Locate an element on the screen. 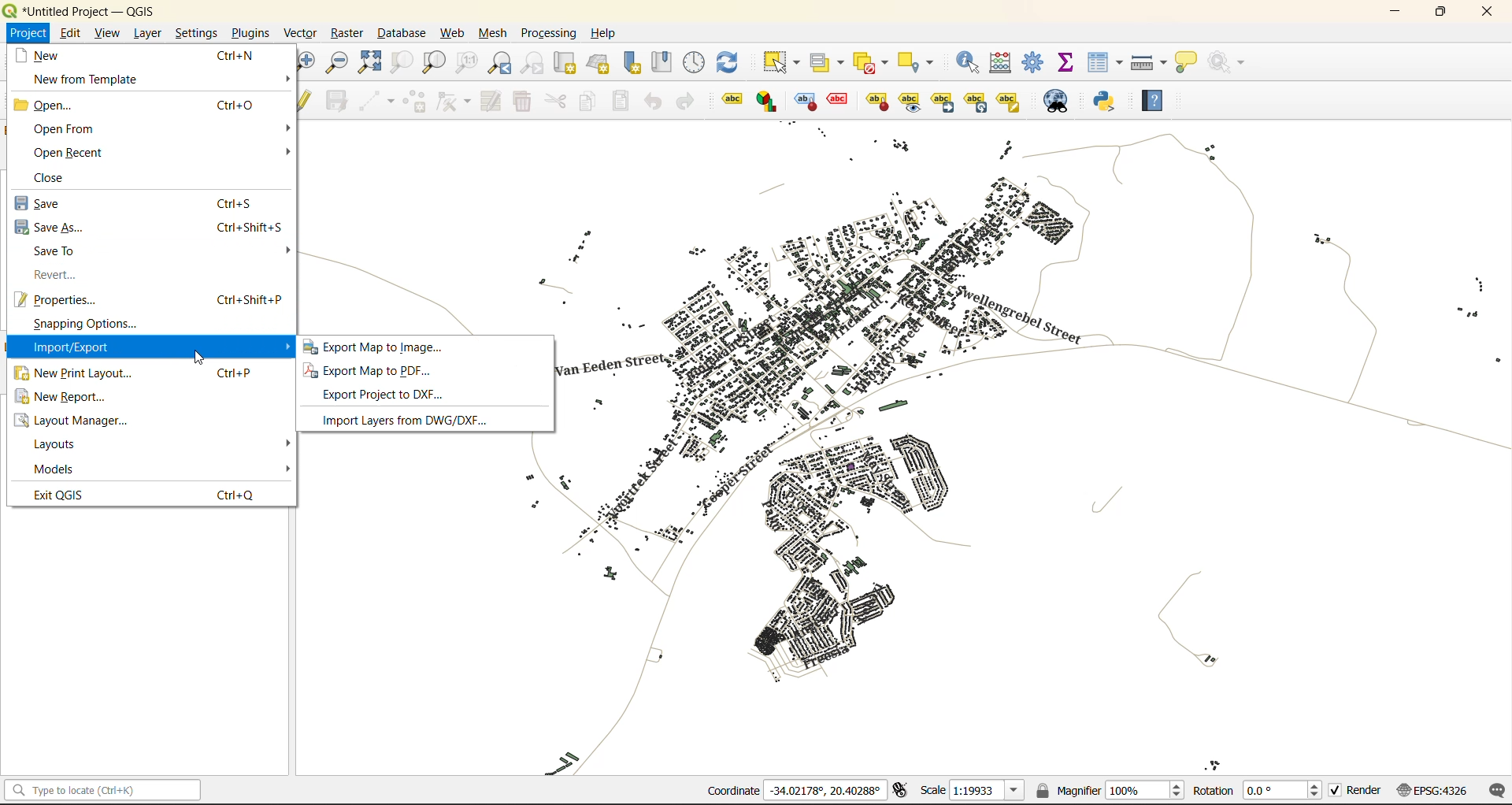  new spatial bookmark is located at coordinates (632, 62).